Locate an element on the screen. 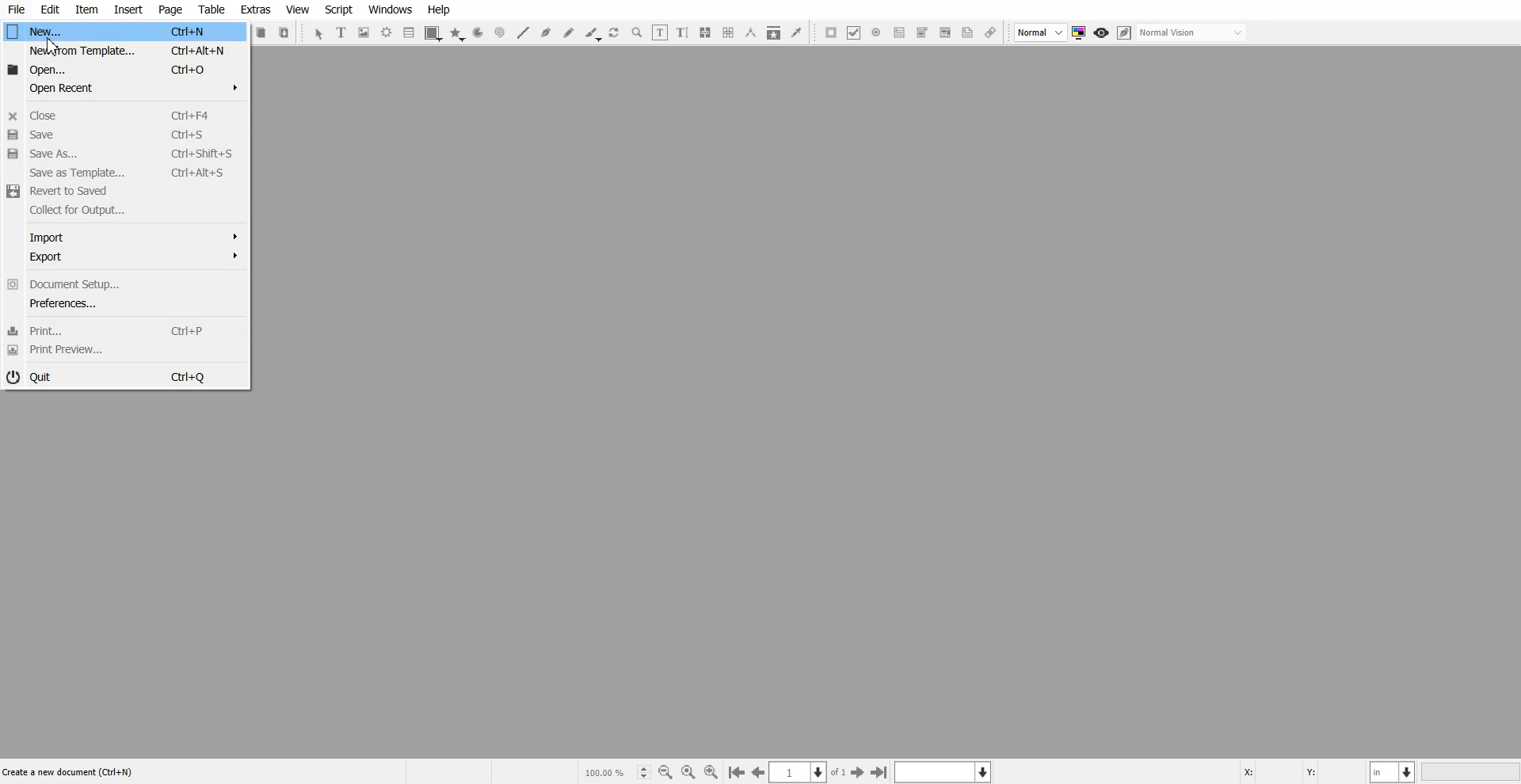 This screenshot has width=1521, height=784. Close is located at coordinates (124, 114).